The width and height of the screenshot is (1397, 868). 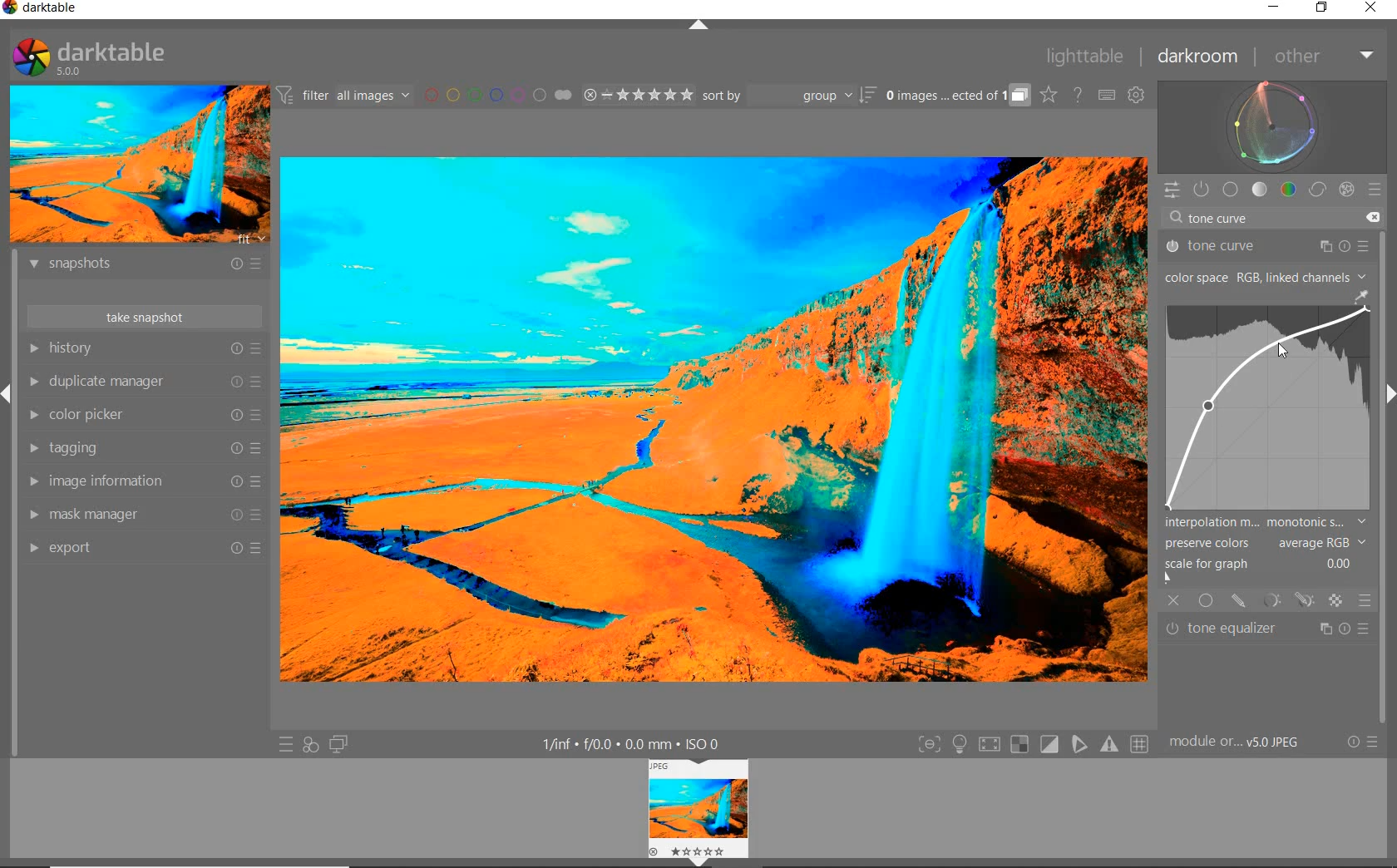 What do you see at coordinates (1362, 743) in the screenshot?
I see `RESET OR PRESETS & PREFERENCES` at bounding box center [1362, 743].